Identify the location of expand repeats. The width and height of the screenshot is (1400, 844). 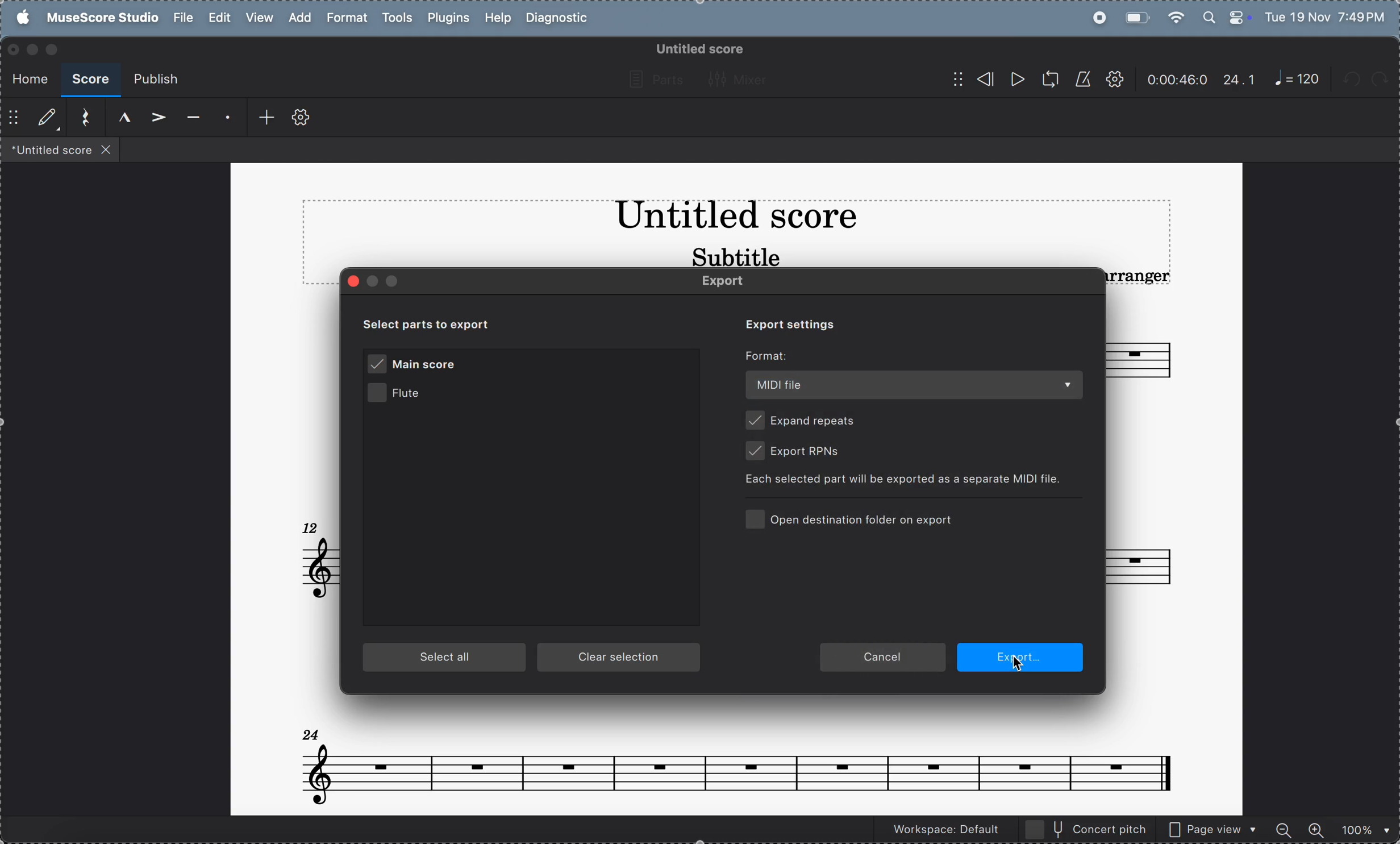
(908, 421).